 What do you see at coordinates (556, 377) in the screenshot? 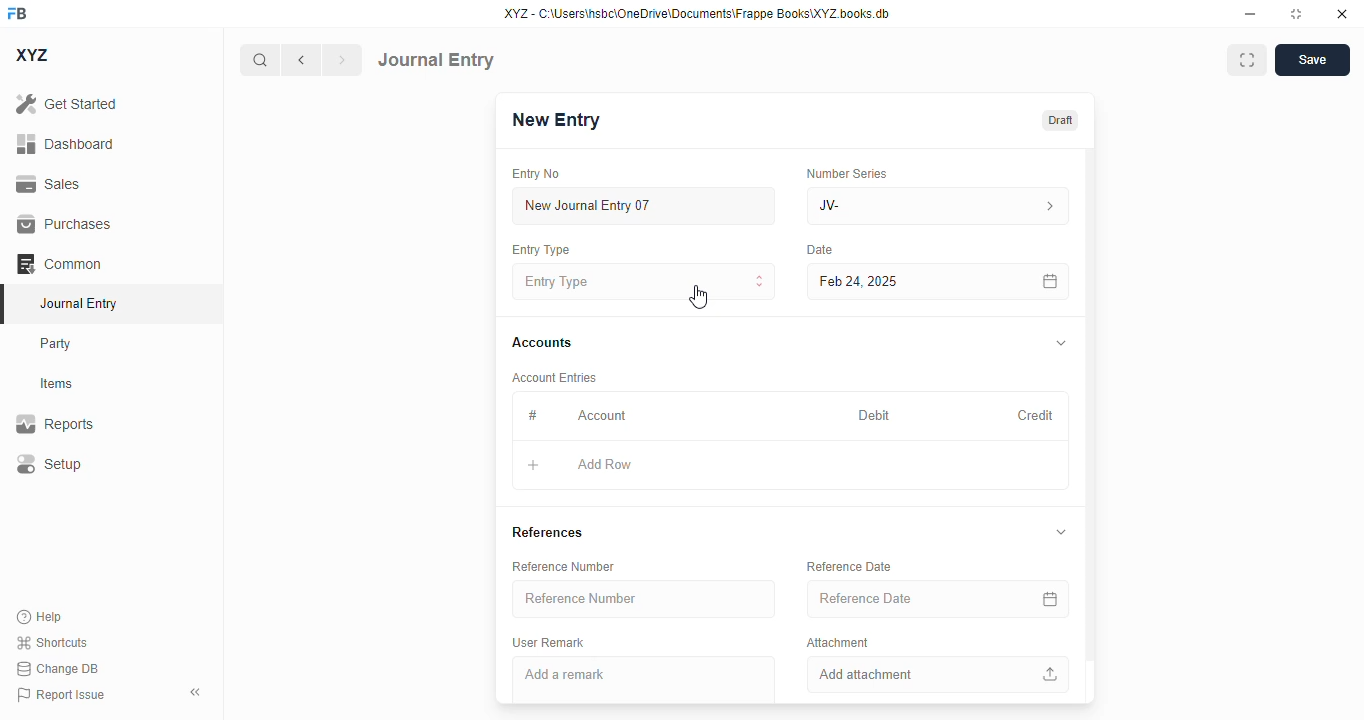
I see `account entries` at bounding box center [556, 377].